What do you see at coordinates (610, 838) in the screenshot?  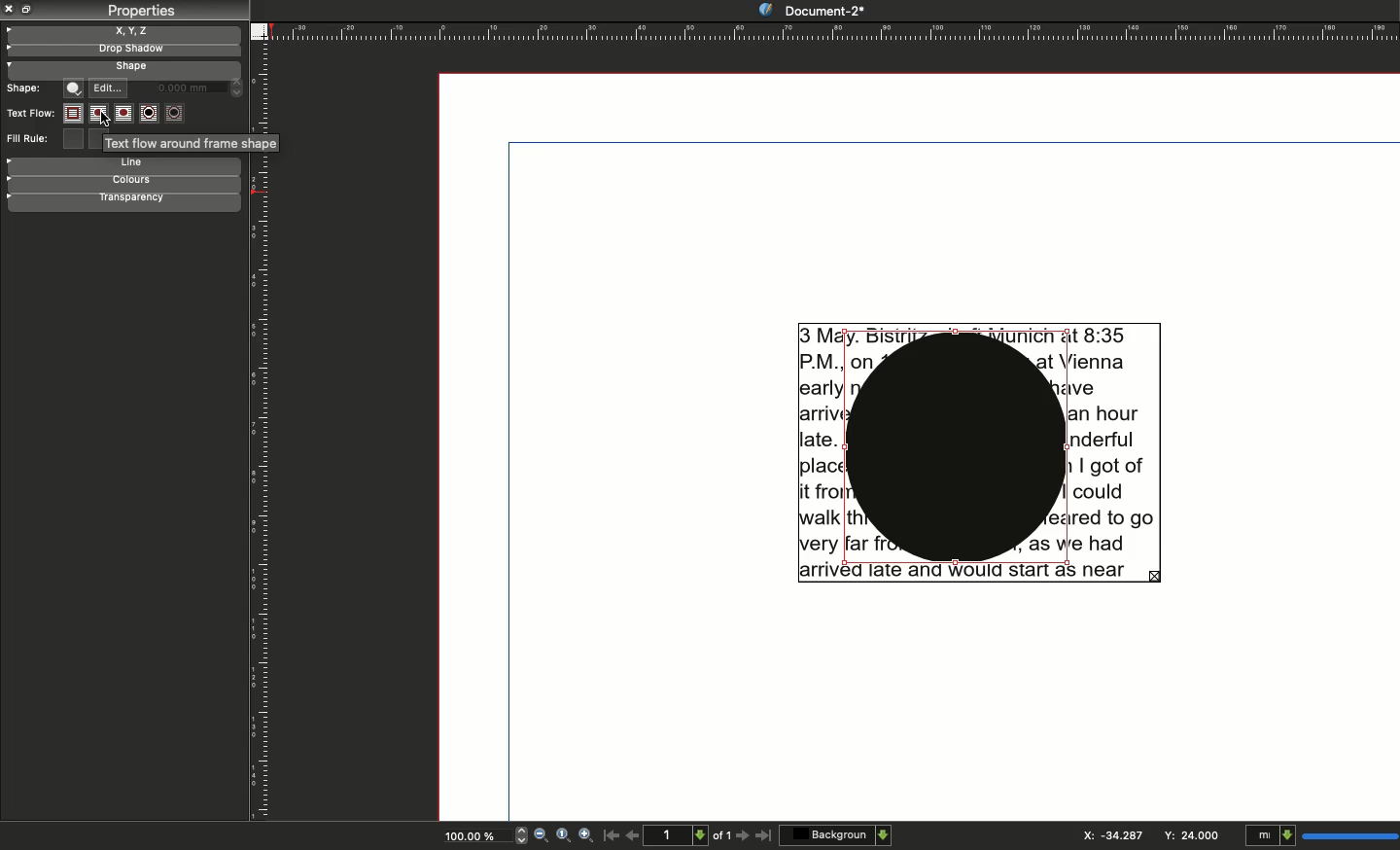 I see `First page` at bounding box center [610, 838].